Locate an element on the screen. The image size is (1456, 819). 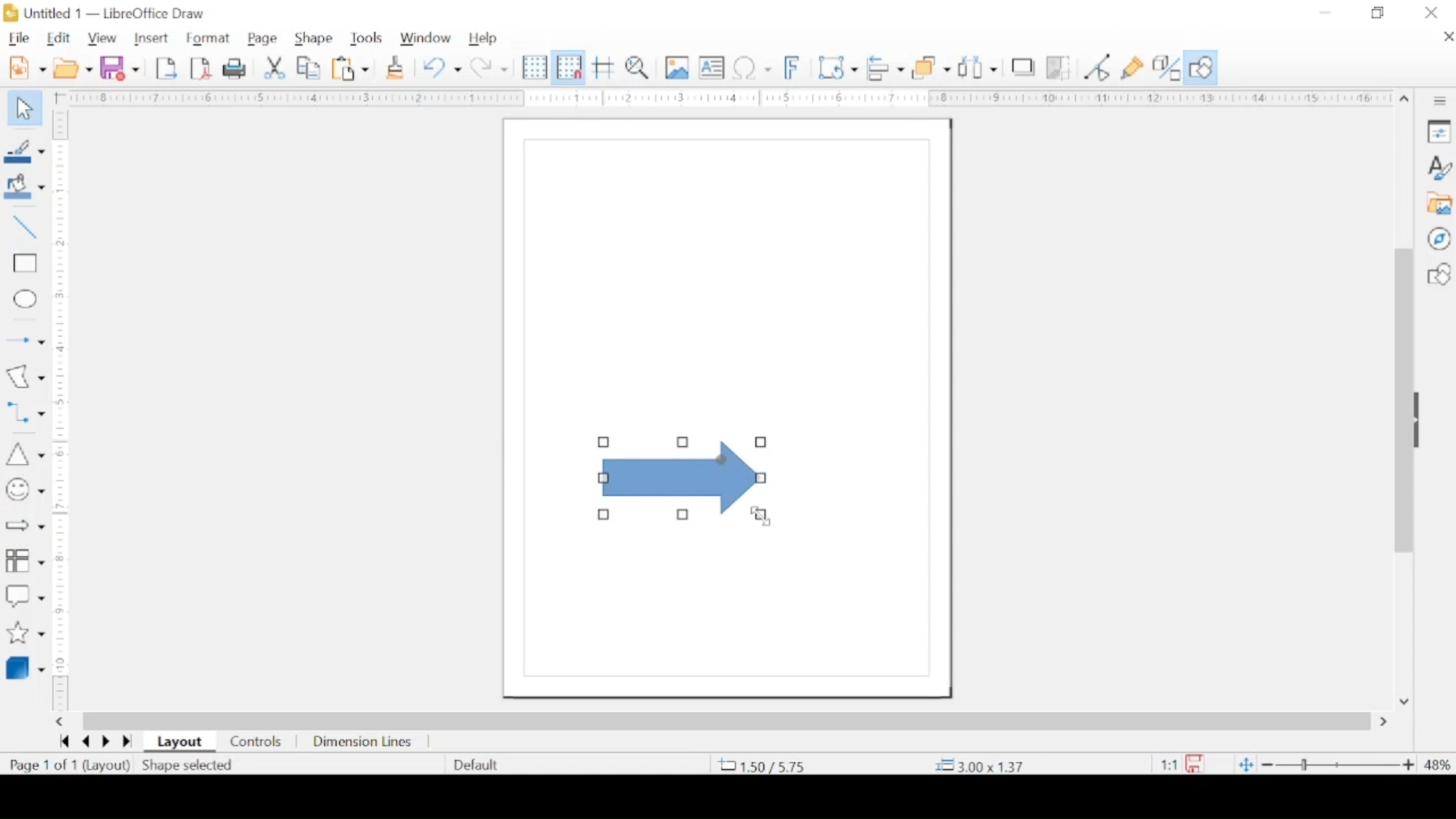
insert line is located at coordinates (25, 227).